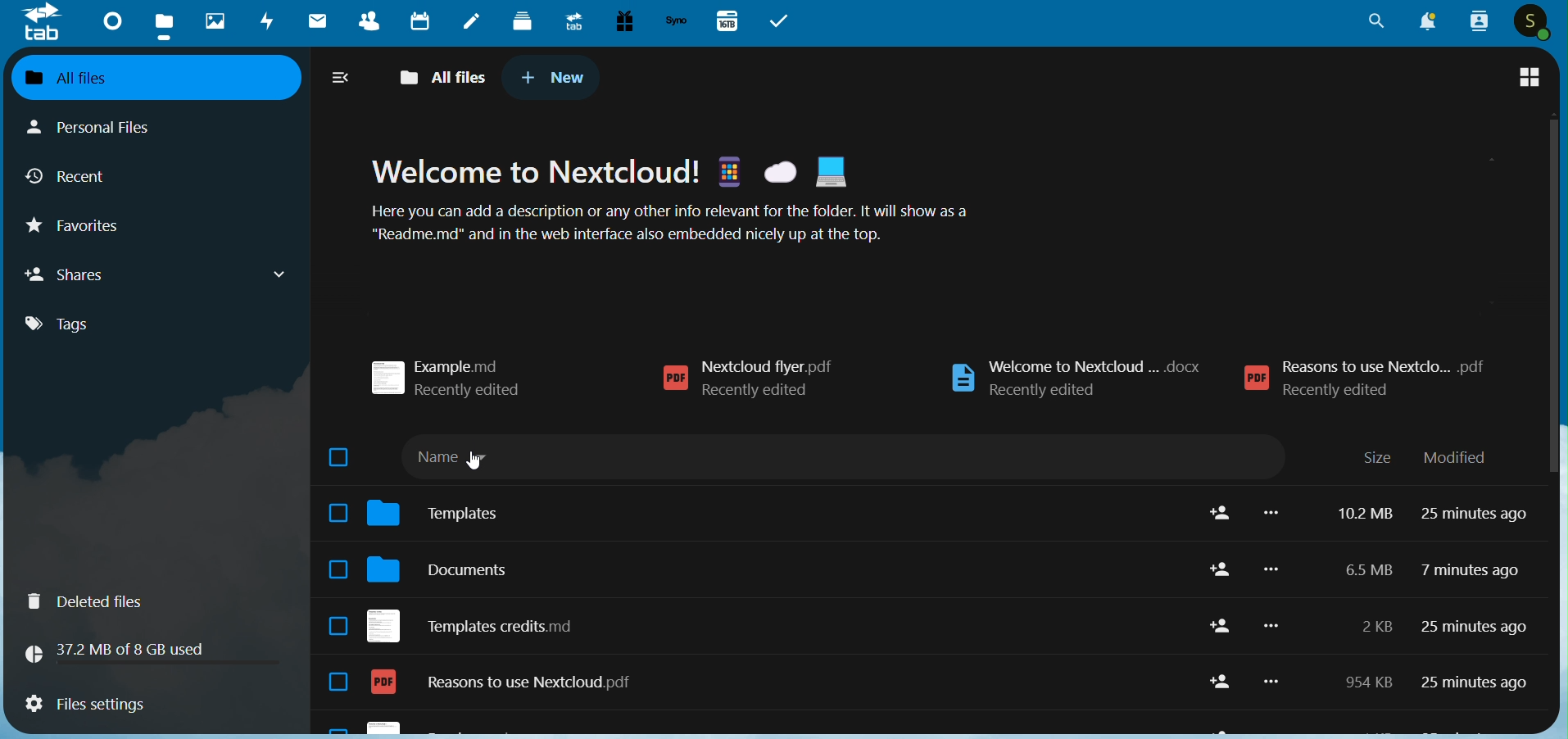 This screenshot has width=1568, height=739. Describe the element at coordinates (1545, 299) in the screenshot. I see `scroll bar` at that location.